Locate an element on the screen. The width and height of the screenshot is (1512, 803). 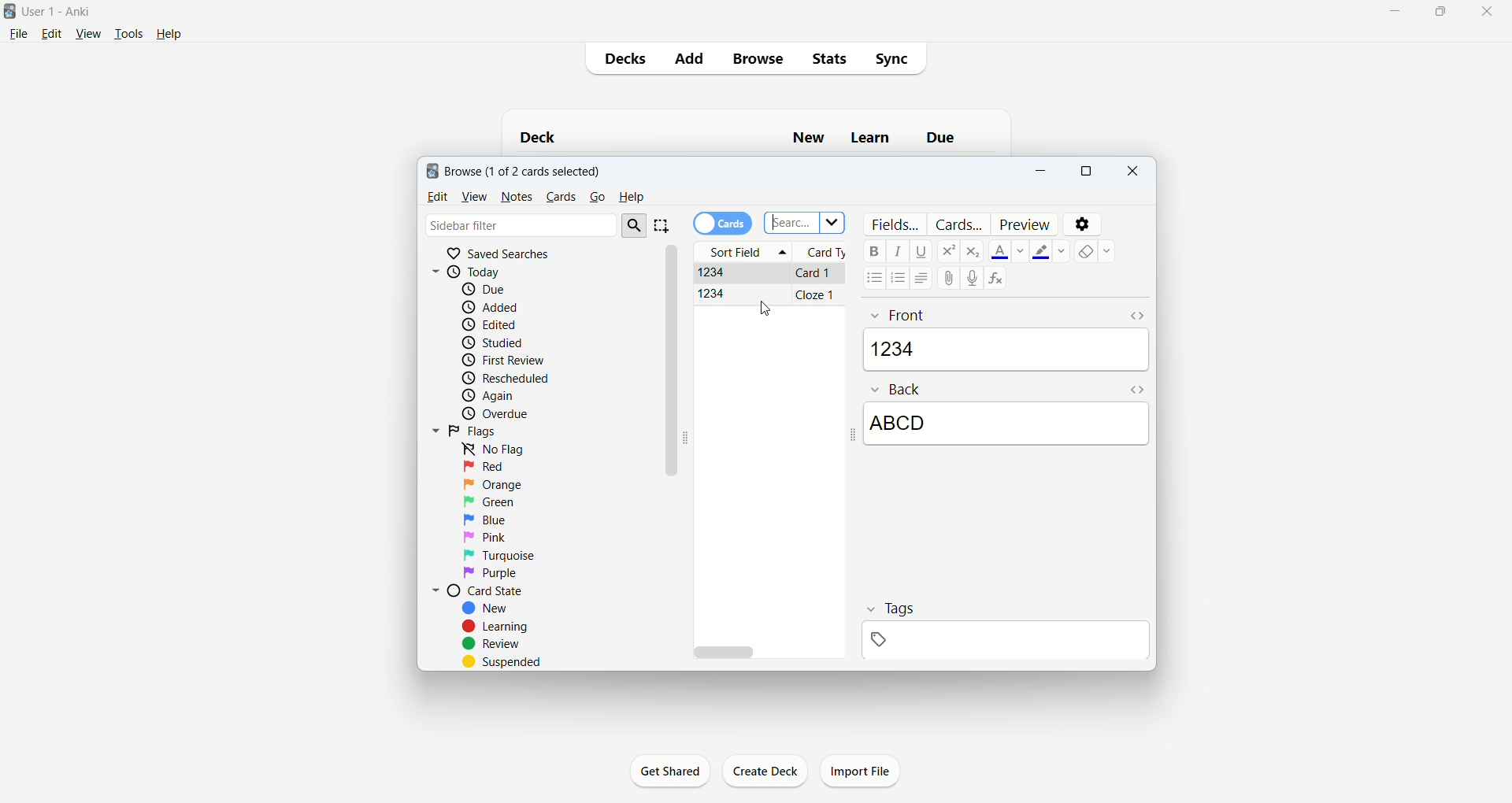
alignment is located at coordinates (922, 277).